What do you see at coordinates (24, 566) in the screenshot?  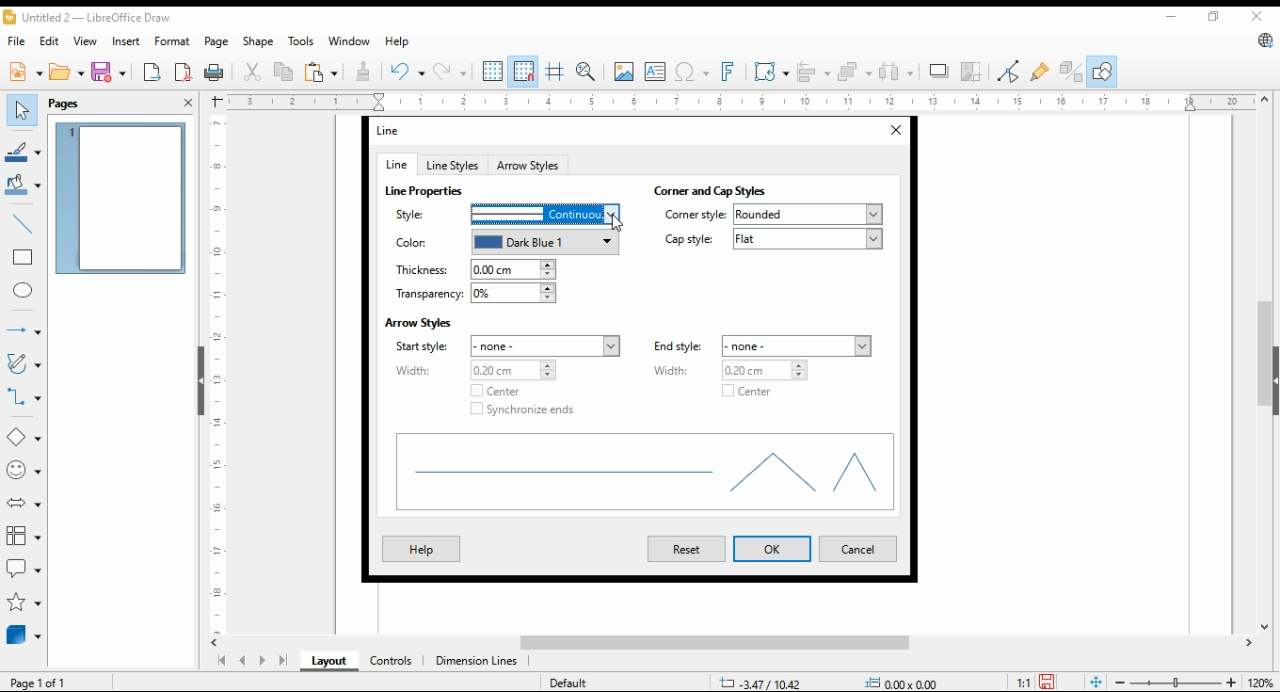 I see `callout shapes` at bounding box center [24, 566].